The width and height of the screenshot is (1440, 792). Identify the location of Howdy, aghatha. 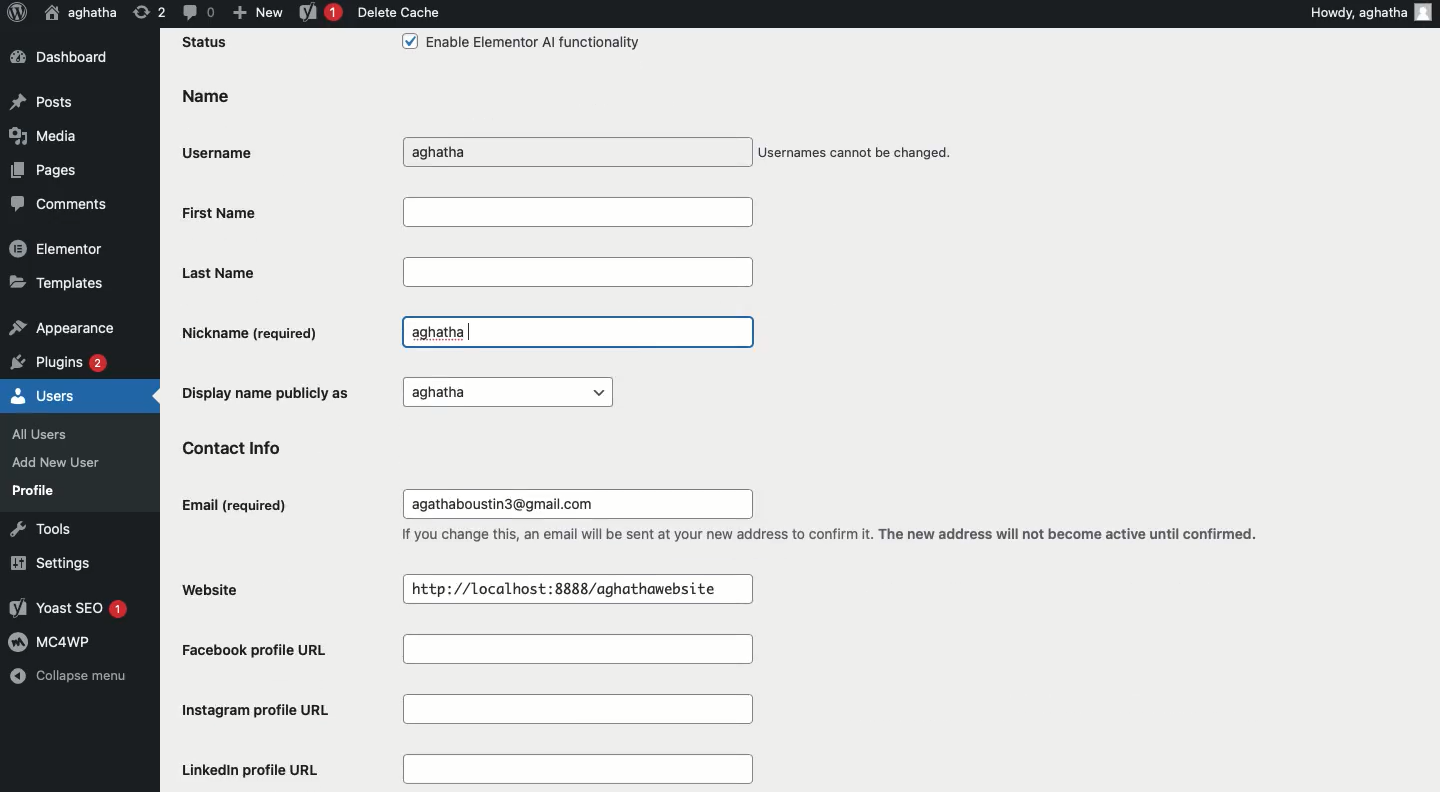
(1358, 12).